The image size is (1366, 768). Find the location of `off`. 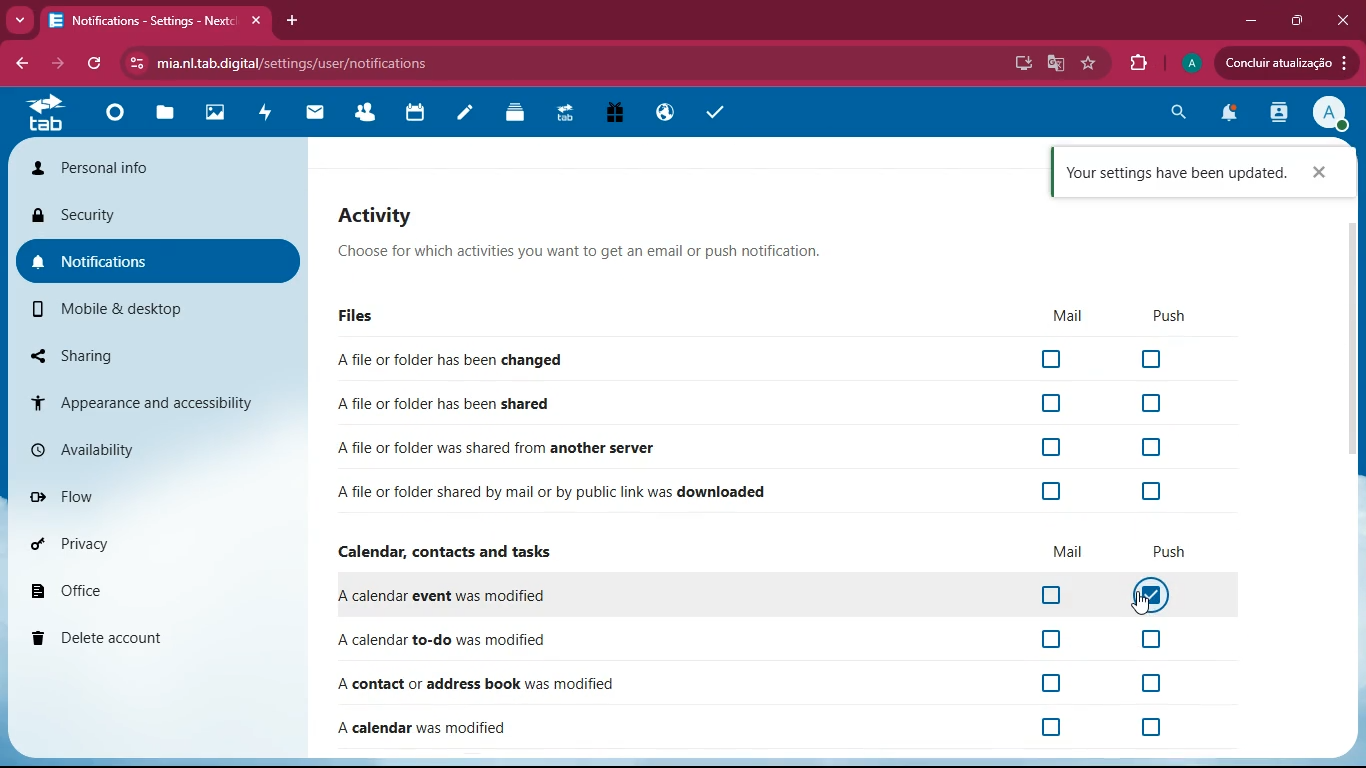

off is located at coordinates (1154, 641).